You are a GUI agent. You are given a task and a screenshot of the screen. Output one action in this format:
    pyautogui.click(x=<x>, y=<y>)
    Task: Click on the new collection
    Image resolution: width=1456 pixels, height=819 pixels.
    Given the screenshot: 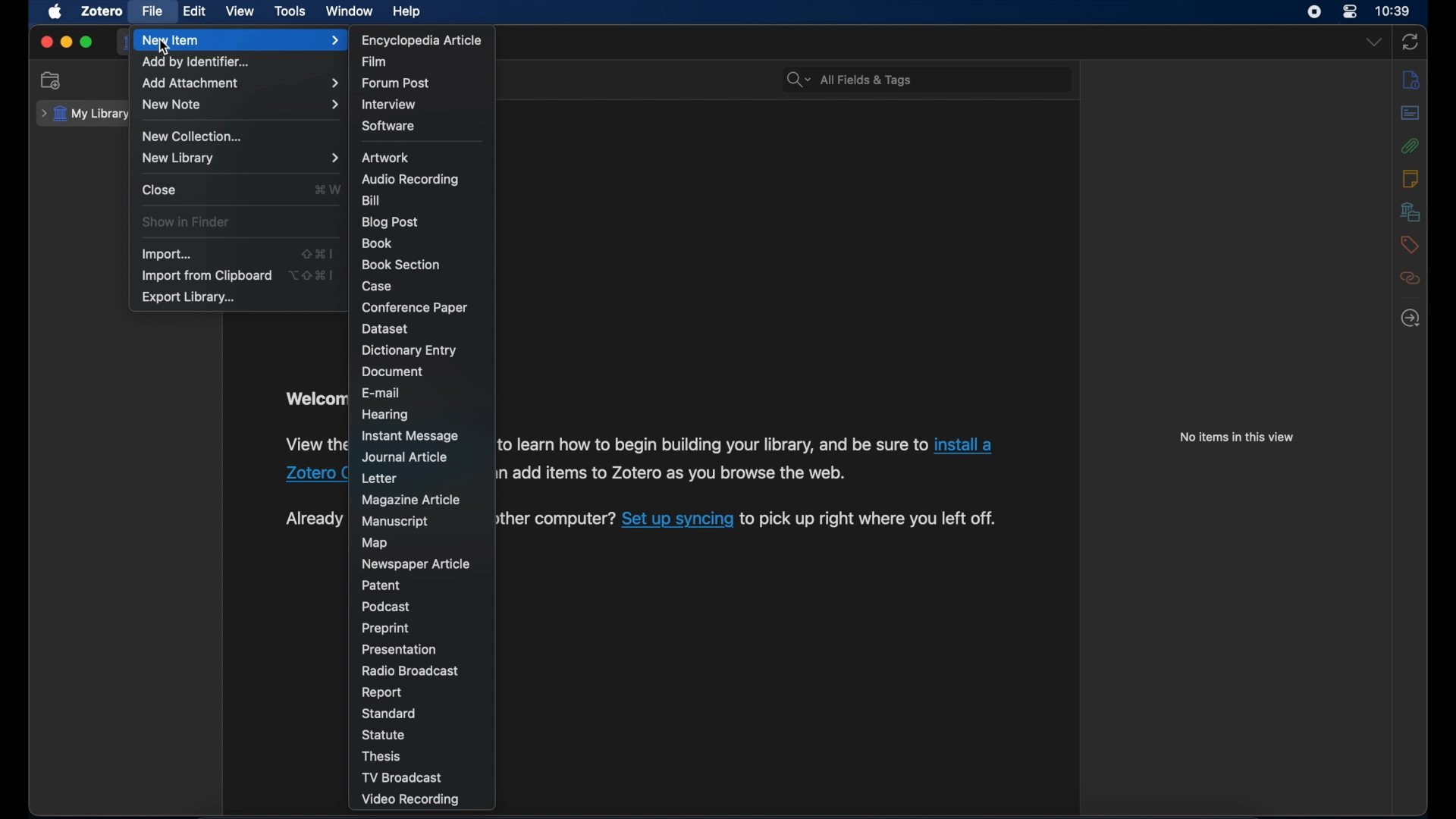 What is the action you would take?
    pyautogui.click(x=190, y=136)
    